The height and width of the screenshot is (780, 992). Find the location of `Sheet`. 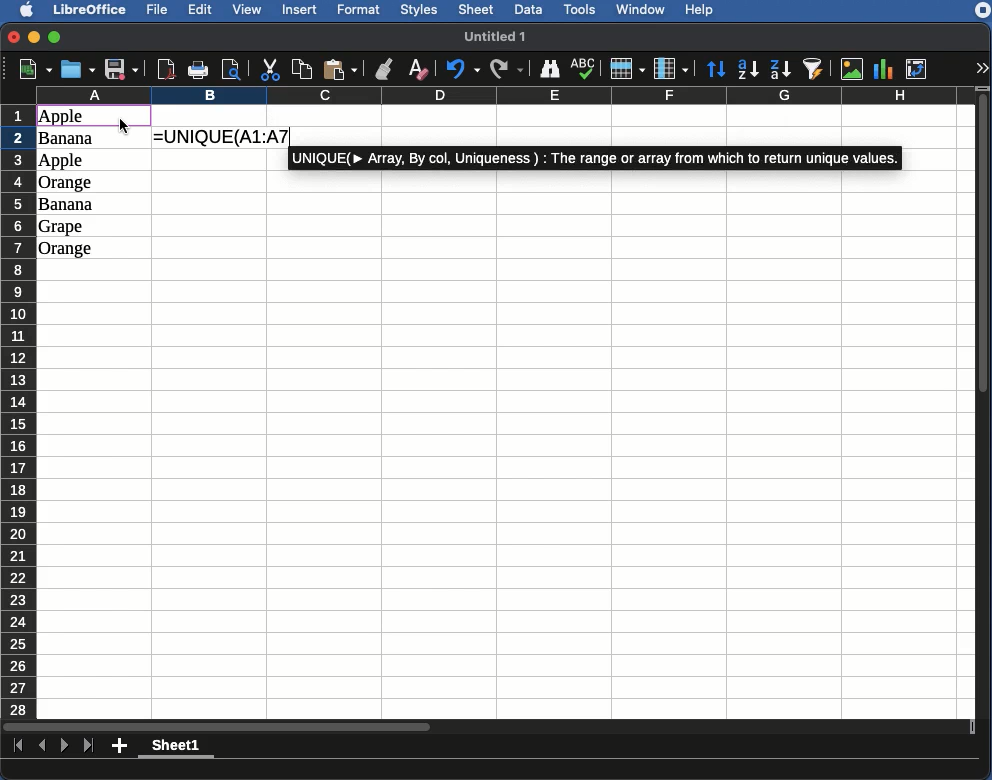

Sheet is located at coordinates (477, 10).